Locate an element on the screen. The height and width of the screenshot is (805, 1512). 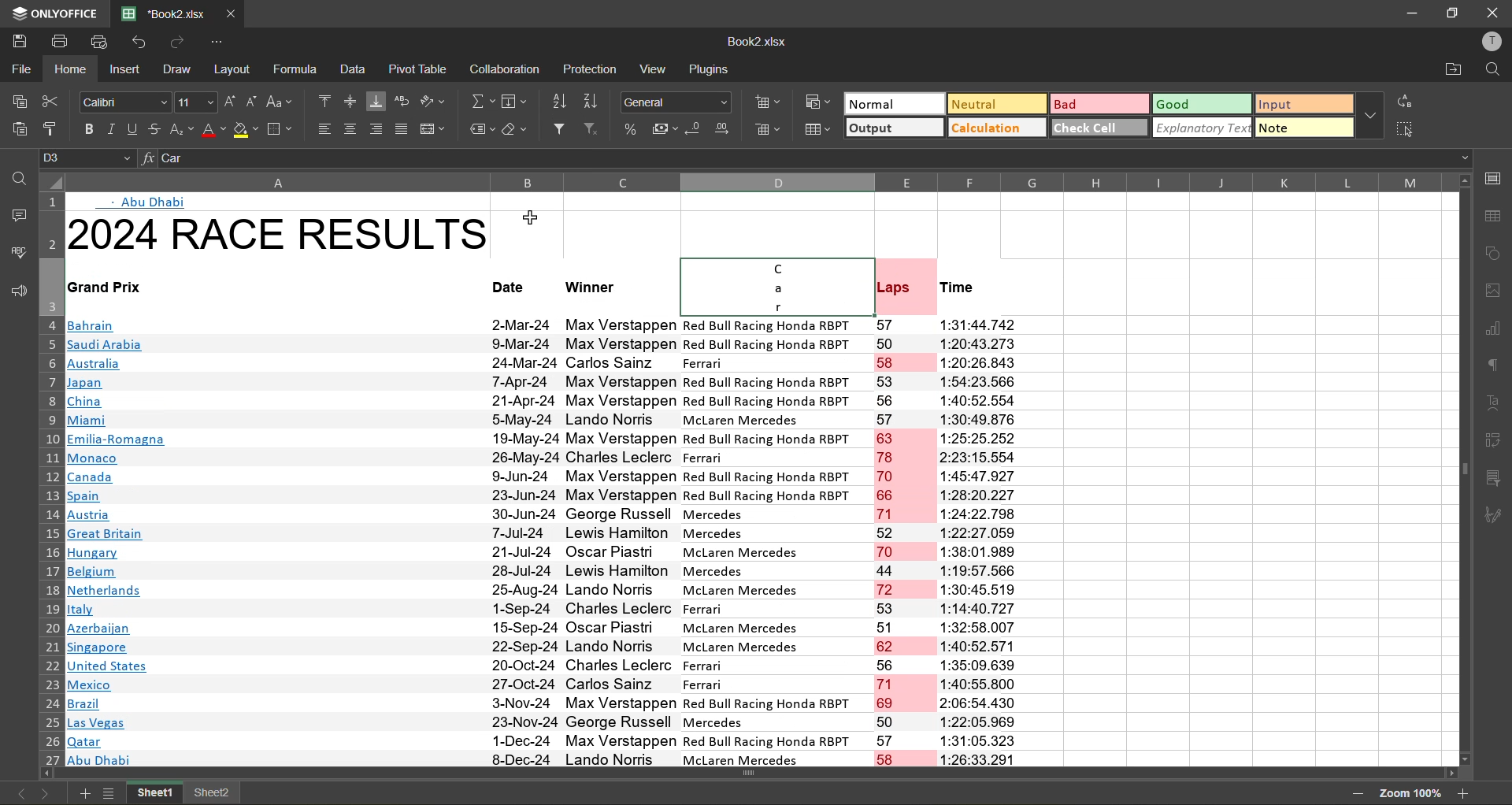
app name is located at coordinates (54, 12).